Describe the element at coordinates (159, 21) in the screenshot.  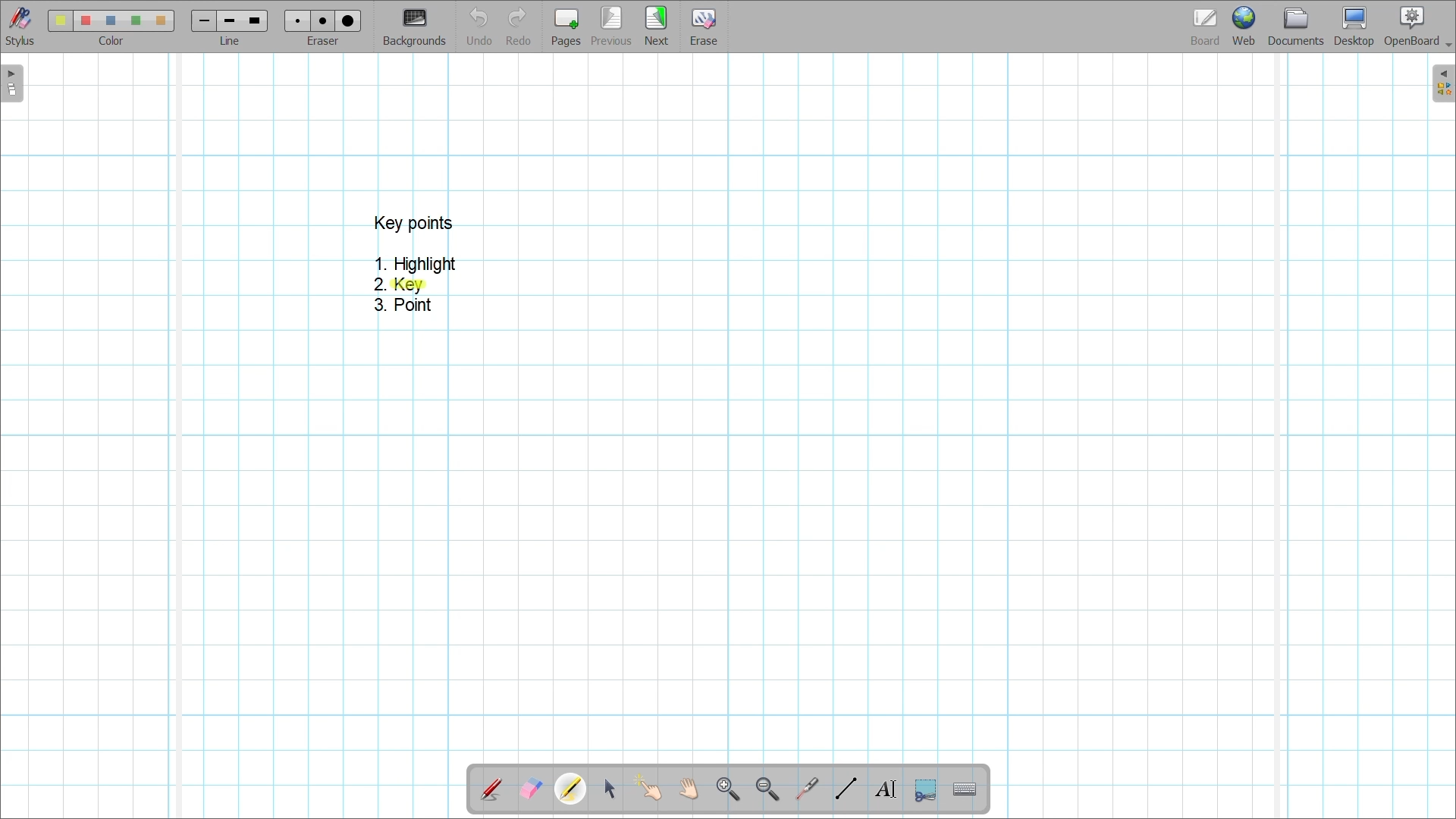
I see `color5` at that location.